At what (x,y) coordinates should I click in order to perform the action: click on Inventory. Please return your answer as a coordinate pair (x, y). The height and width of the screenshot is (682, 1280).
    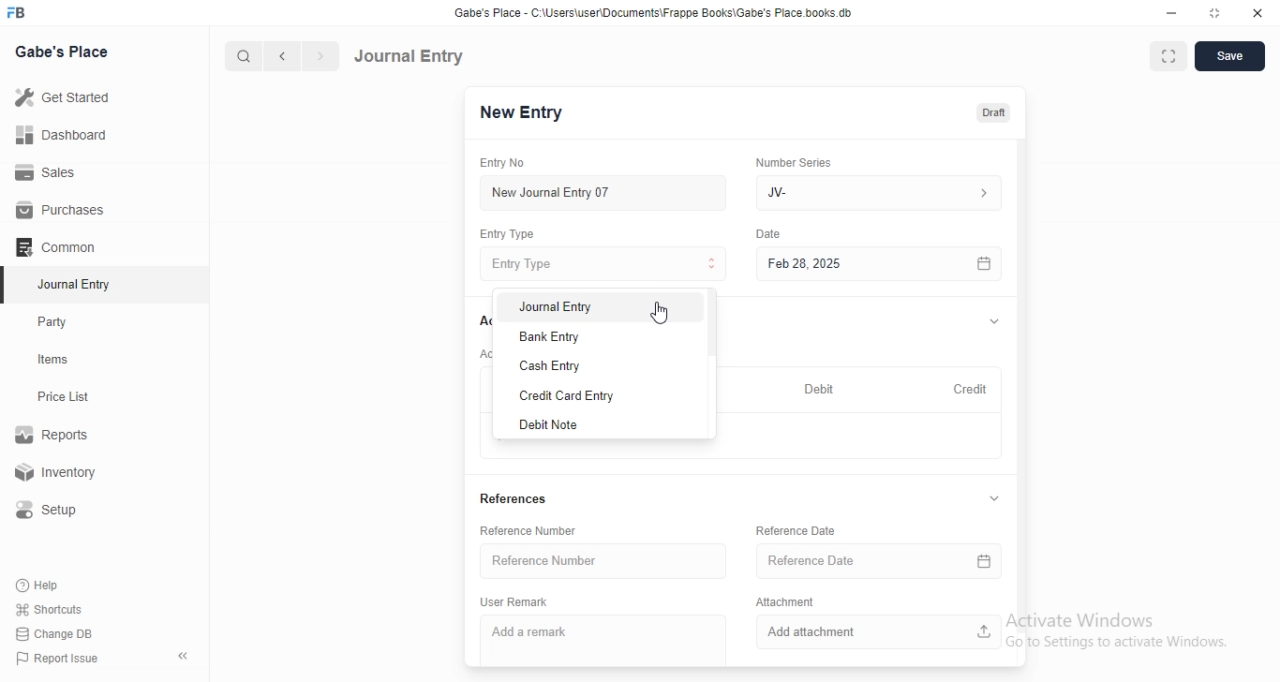
    Looking at the image, I should click on (59, 474).